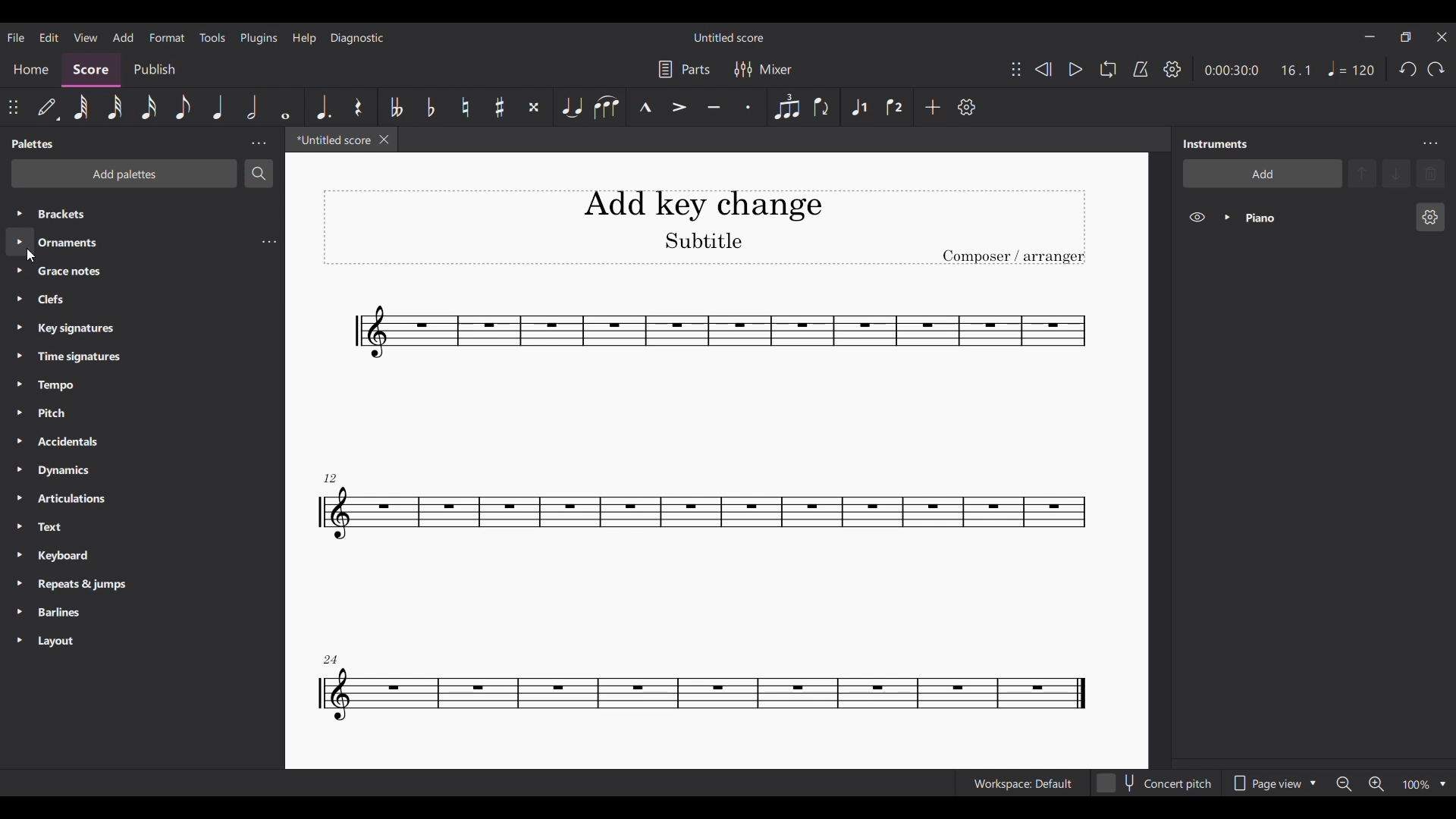 The image size is (1456, 819). Describe the element at coordinates (714, 106) in the screenshot. I see `Tuneto` at that location.